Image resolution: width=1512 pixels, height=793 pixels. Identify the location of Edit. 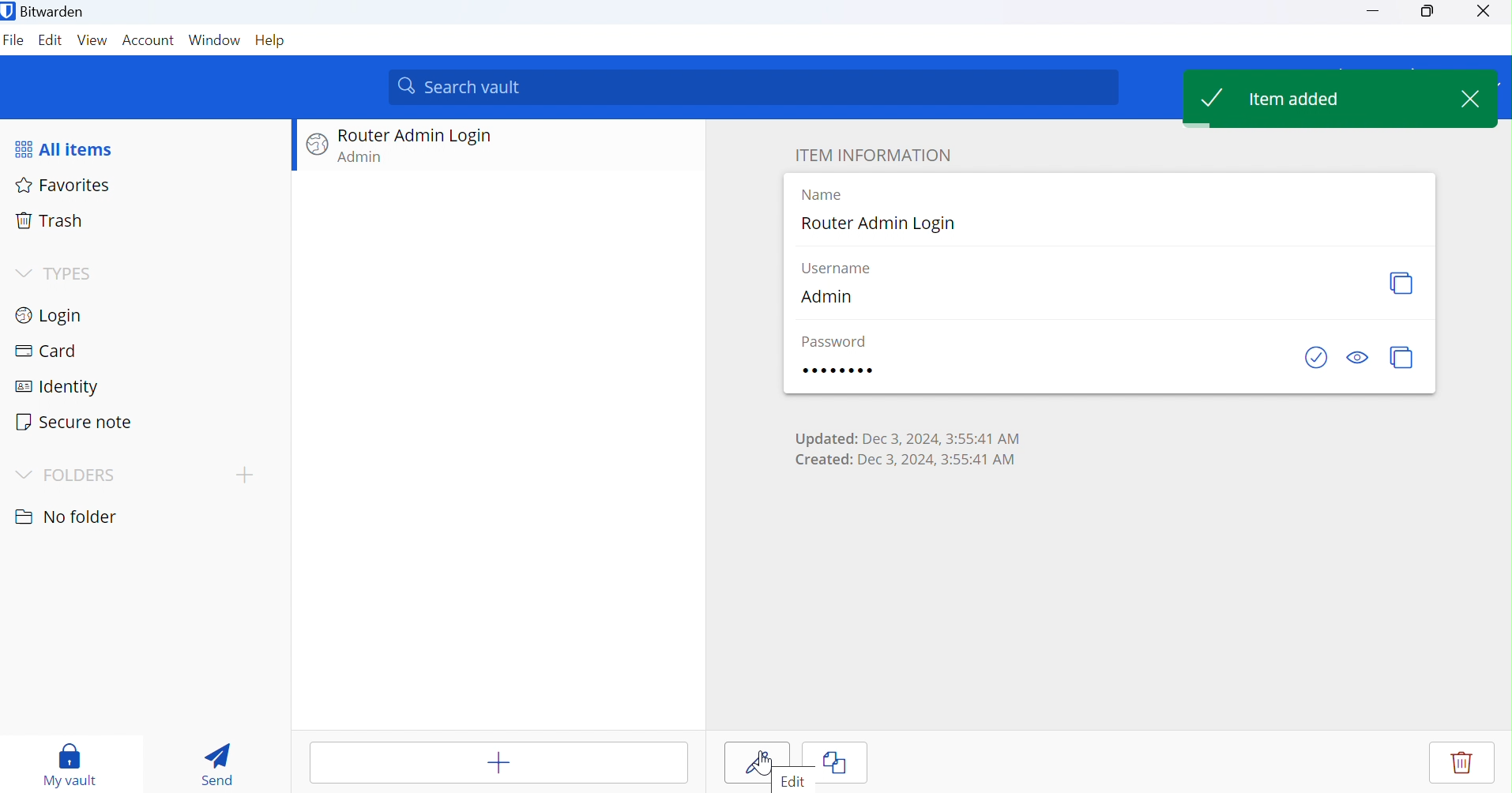
(792, 781).